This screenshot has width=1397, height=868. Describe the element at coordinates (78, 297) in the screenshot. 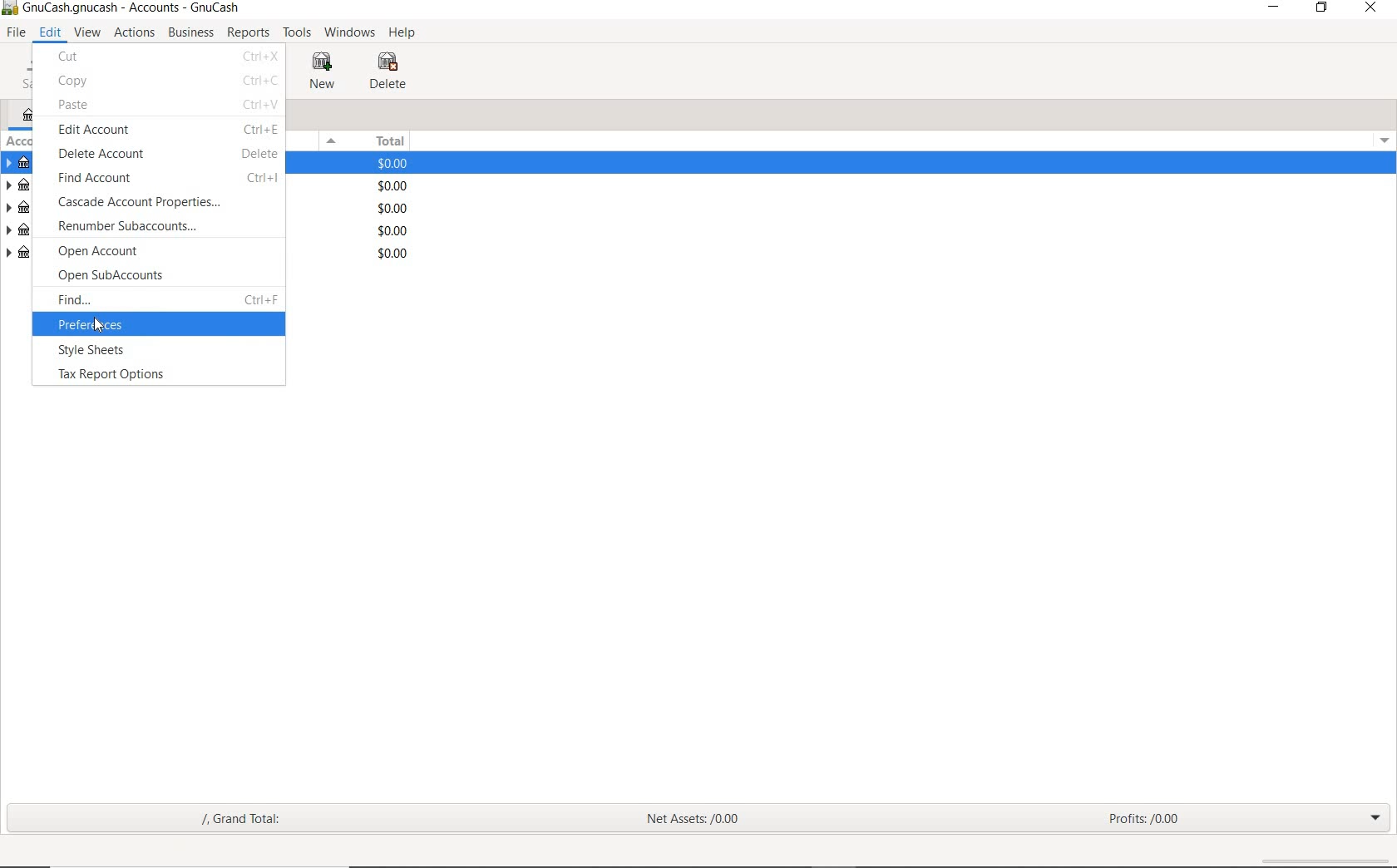

I see `find` at that location.